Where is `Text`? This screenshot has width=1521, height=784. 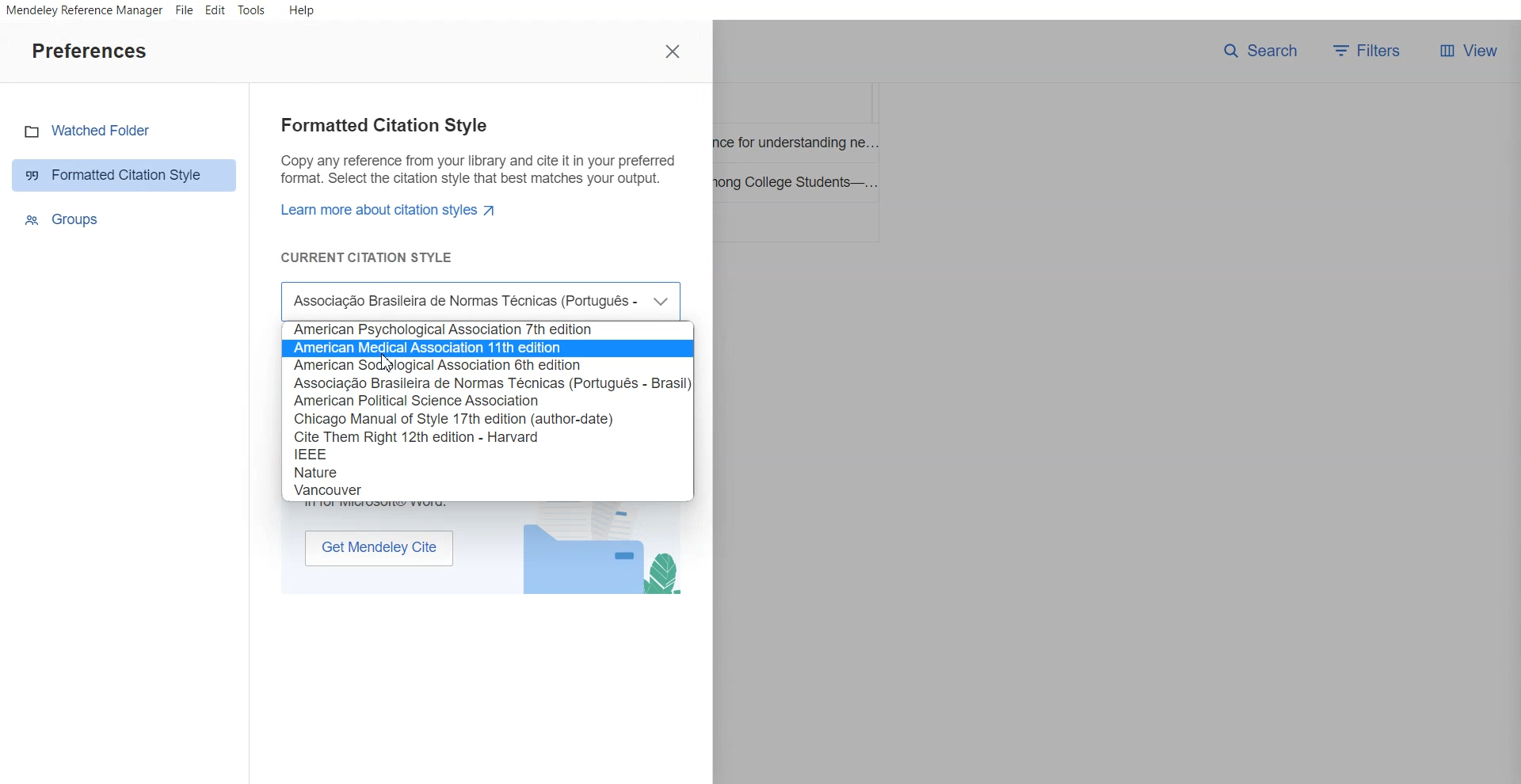 Text is located at coordinates (475, 191).